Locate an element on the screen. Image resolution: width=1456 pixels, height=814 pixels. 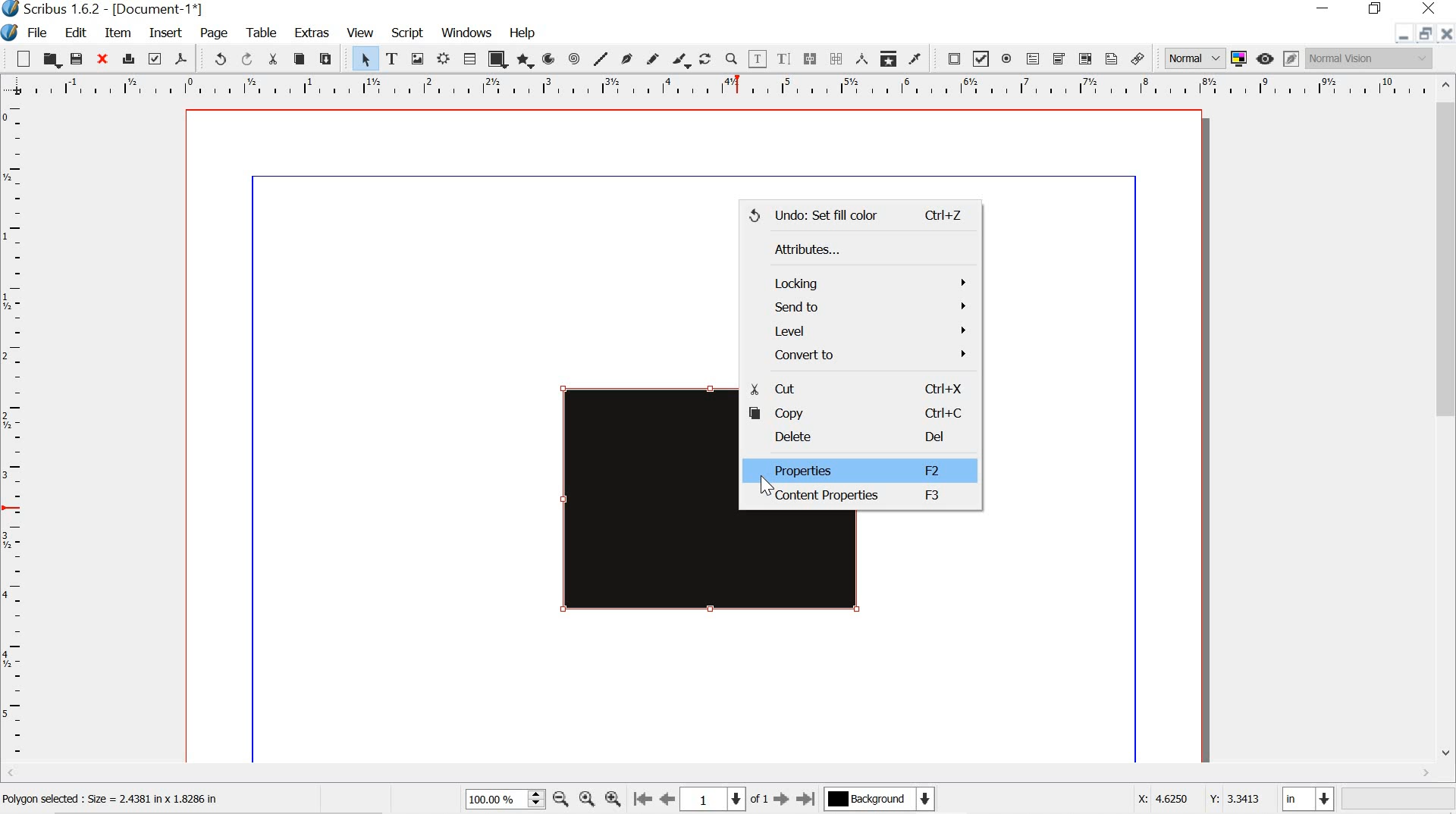
copy is located at coordinates (855, 412).